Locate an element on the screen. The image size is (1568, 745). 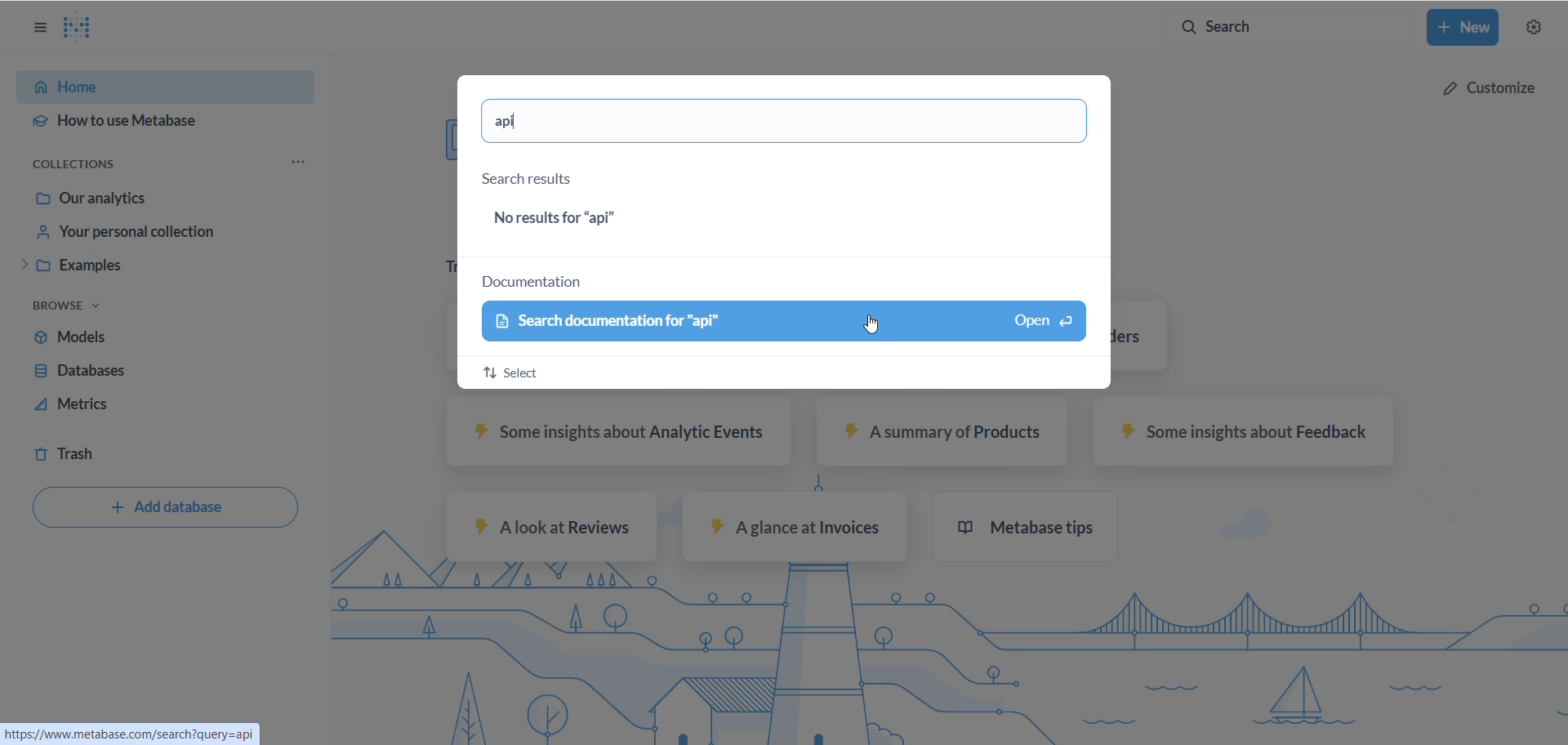
Our analytics is located at coordinates (154, 199).